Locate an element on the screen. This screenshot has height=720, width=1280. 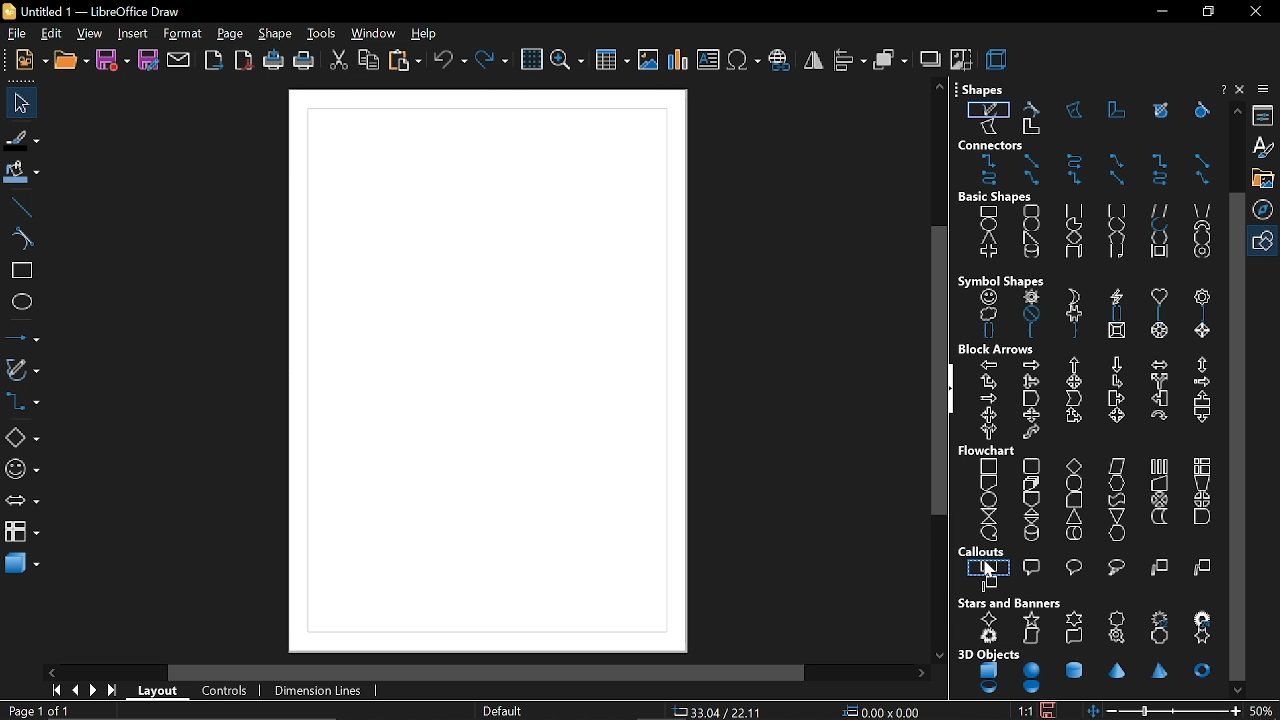
format is located at coordinates (180, 33).